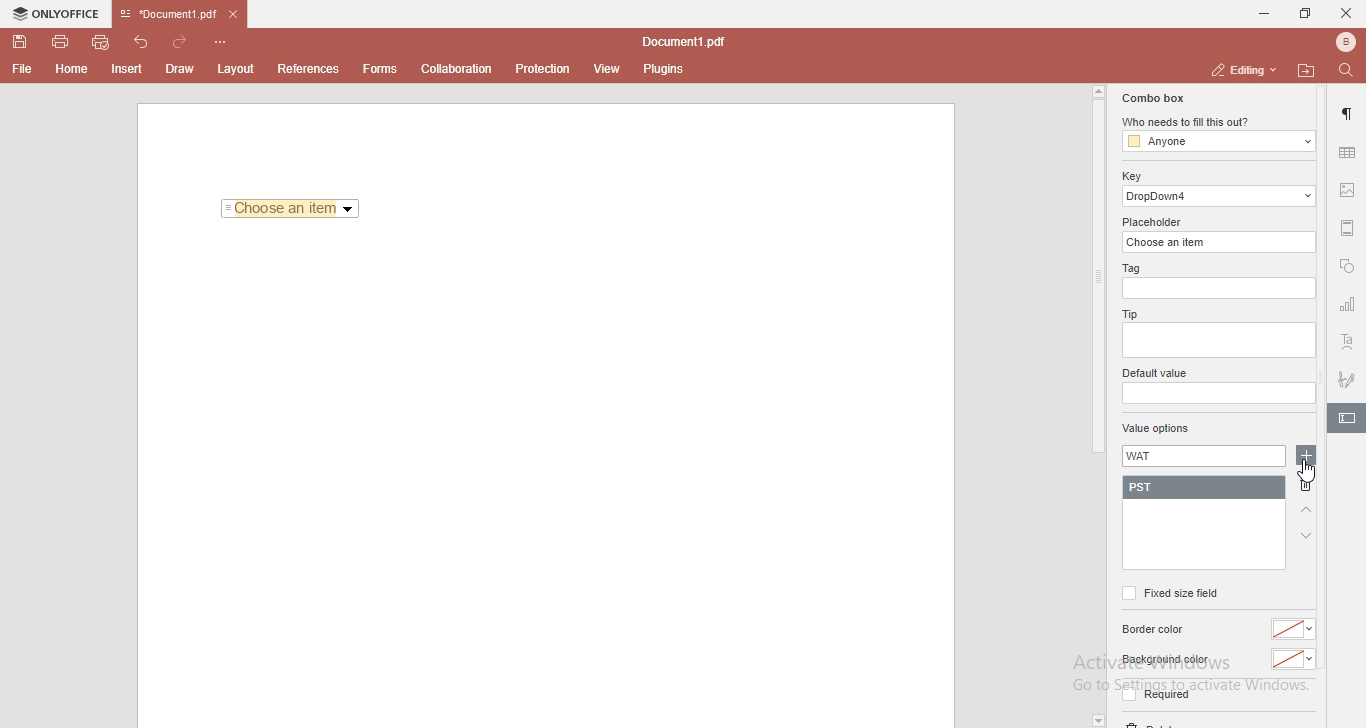 Image resolution: width=1366 pixels, height=728 pixels. Describe the element at coordinates (1169, 593) in the screenshot. I see `fixed size field` at that location.